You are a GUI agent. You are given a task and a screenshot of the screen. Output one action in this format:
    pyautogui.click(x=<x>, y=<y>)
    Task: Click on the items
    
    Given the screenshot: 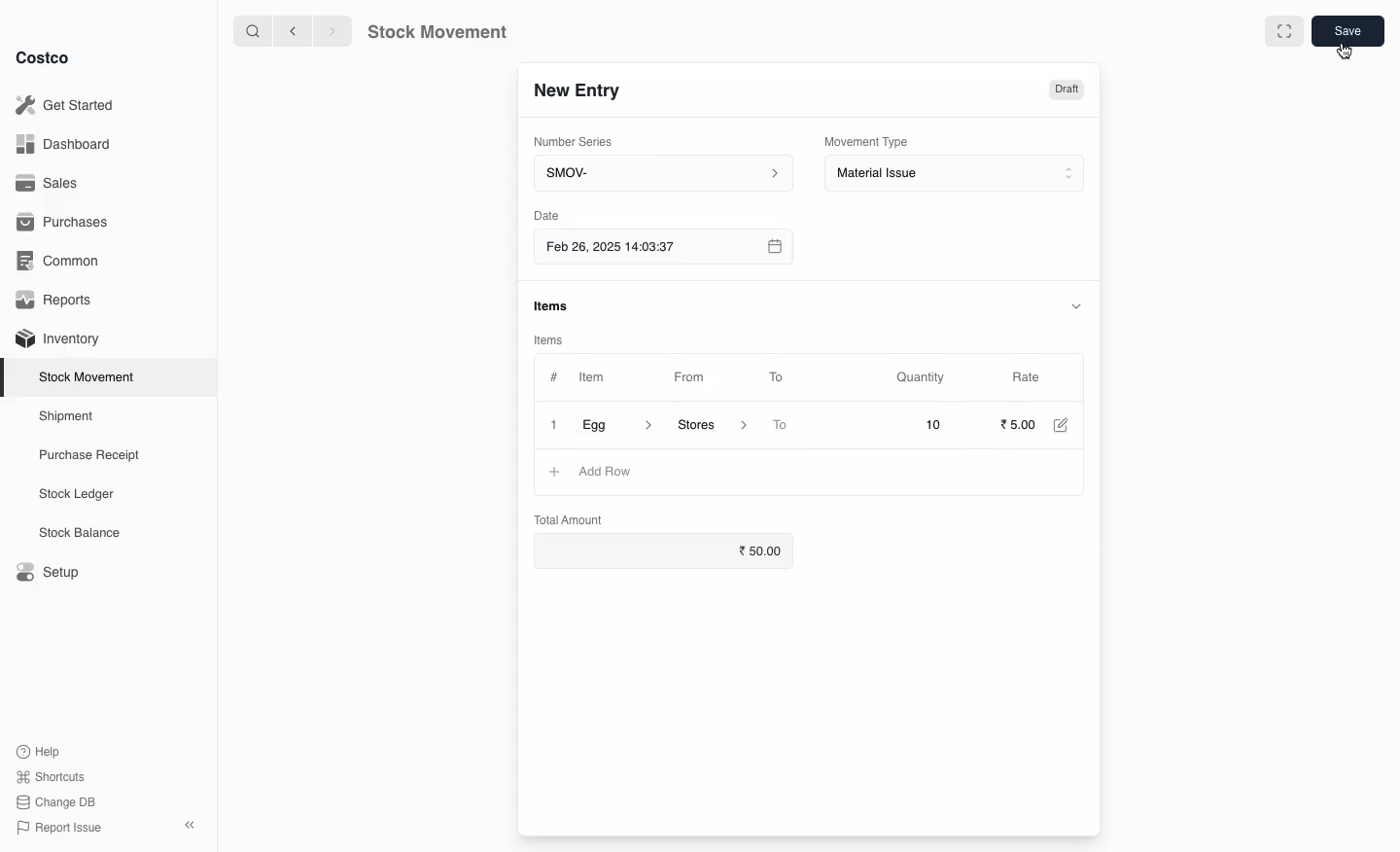 What is the action you would take?
    pyautogui.click(x=553, y=306)
    